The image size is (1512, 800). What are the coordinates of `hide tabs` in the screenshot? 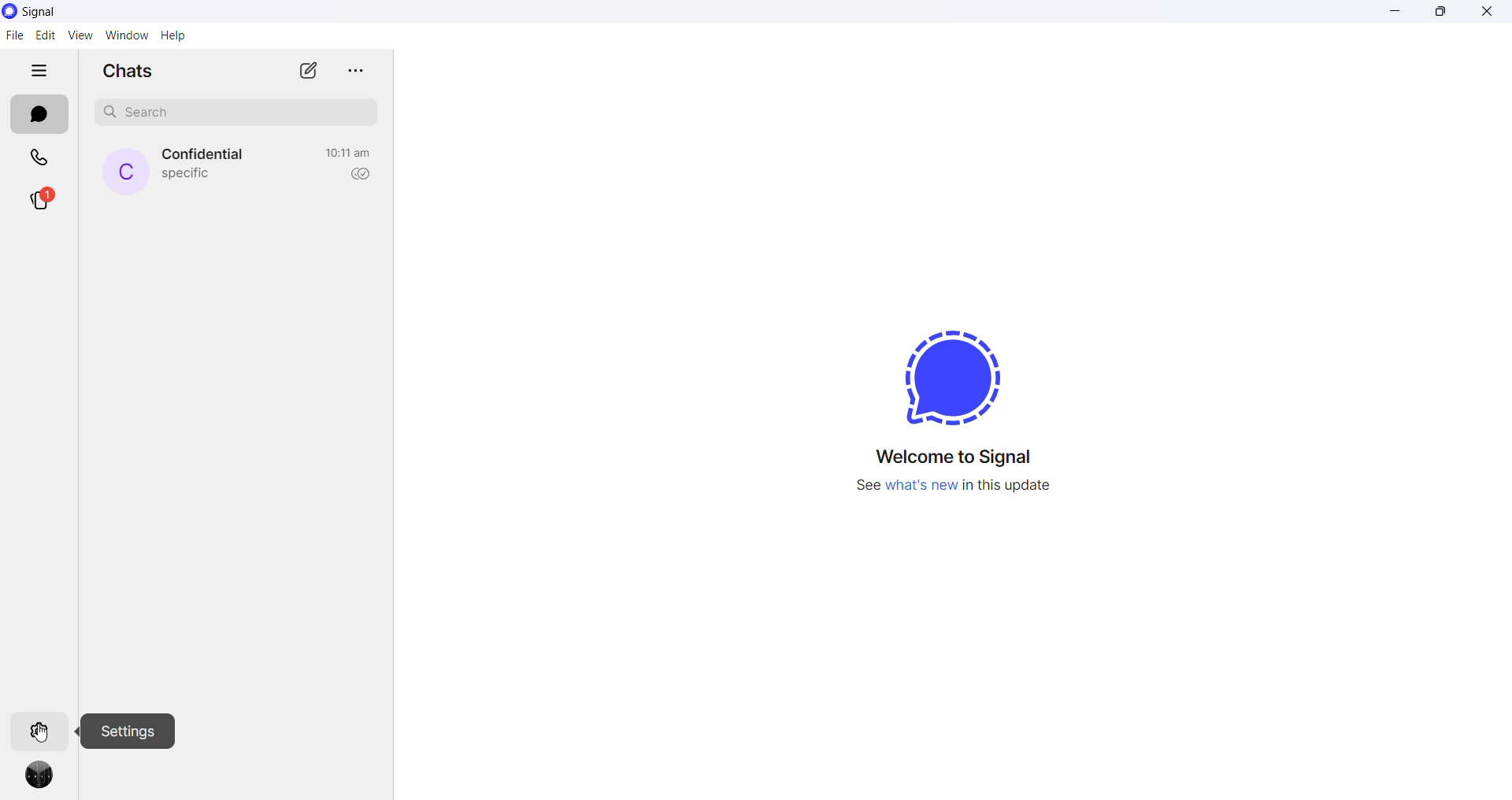 It's located at (40, 72).